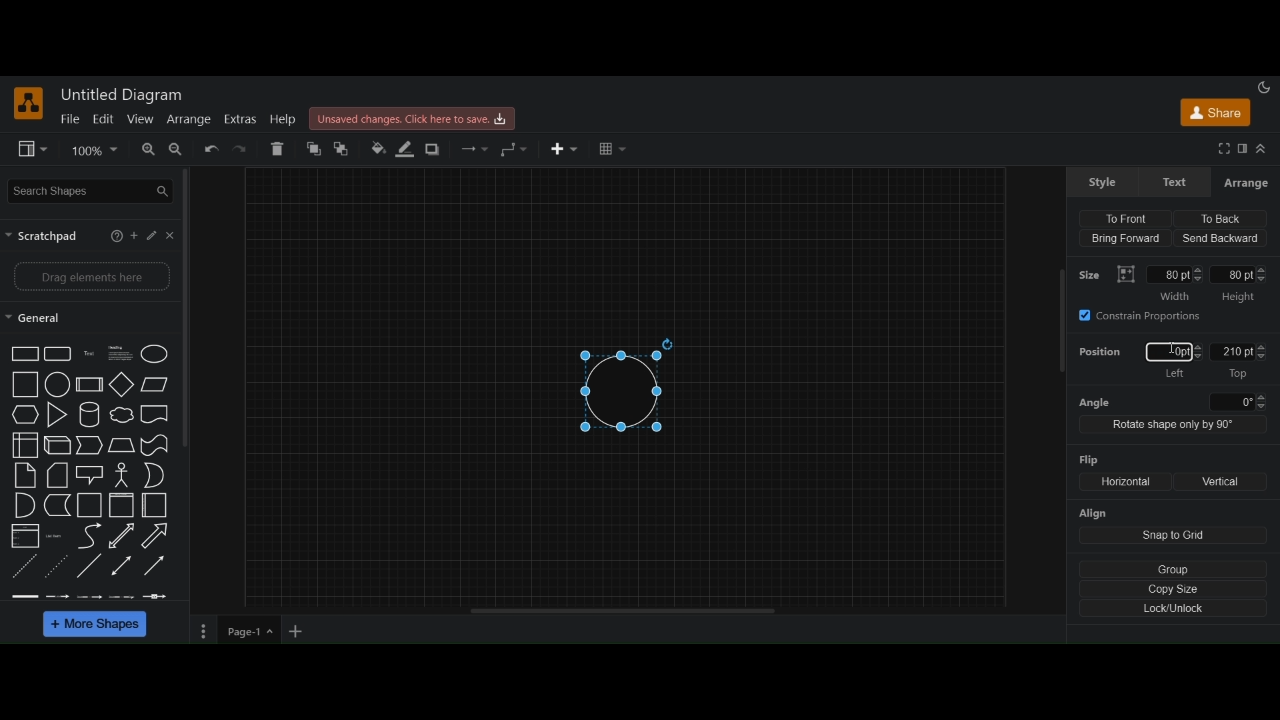 The height and width of the screenshot is (720, 1280). What do you see at coordinates (1240, 285) in the screenshot?
I see `height` at bounding box center [1240, 285].